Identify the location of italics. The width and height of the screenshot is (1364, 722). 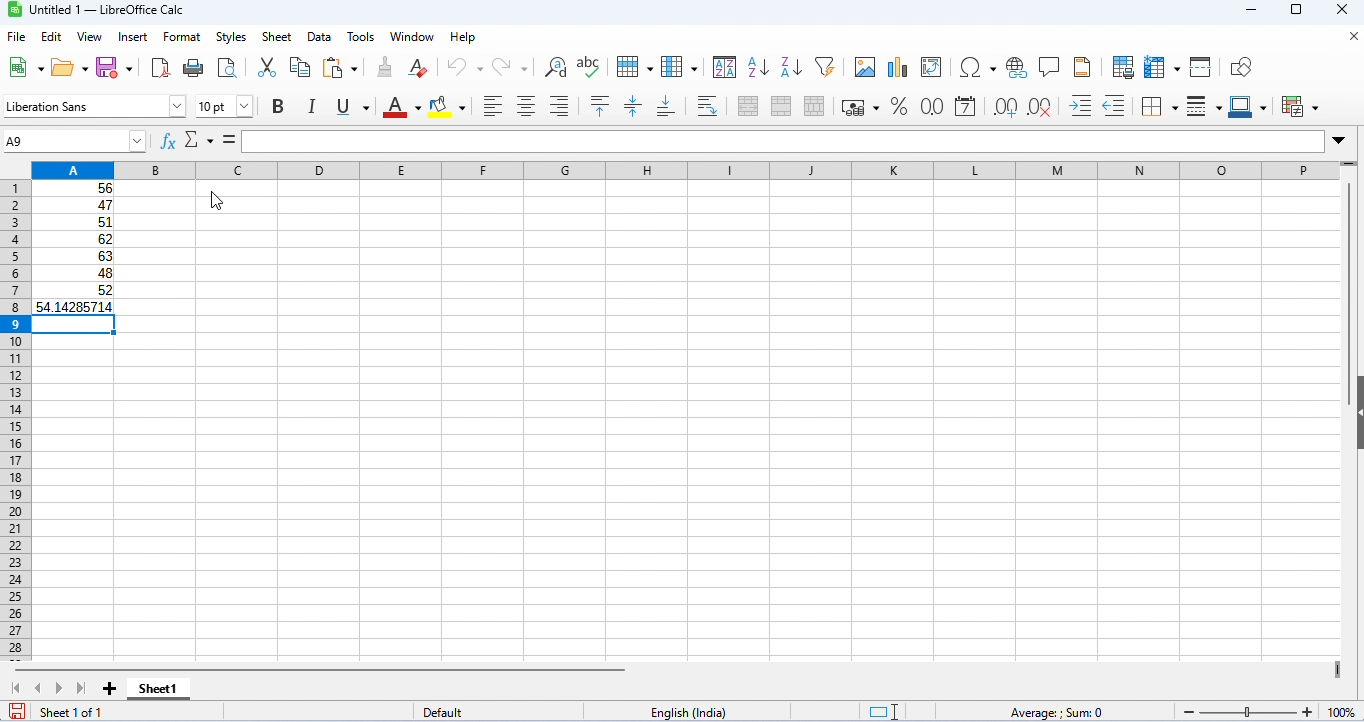
(310, 106).